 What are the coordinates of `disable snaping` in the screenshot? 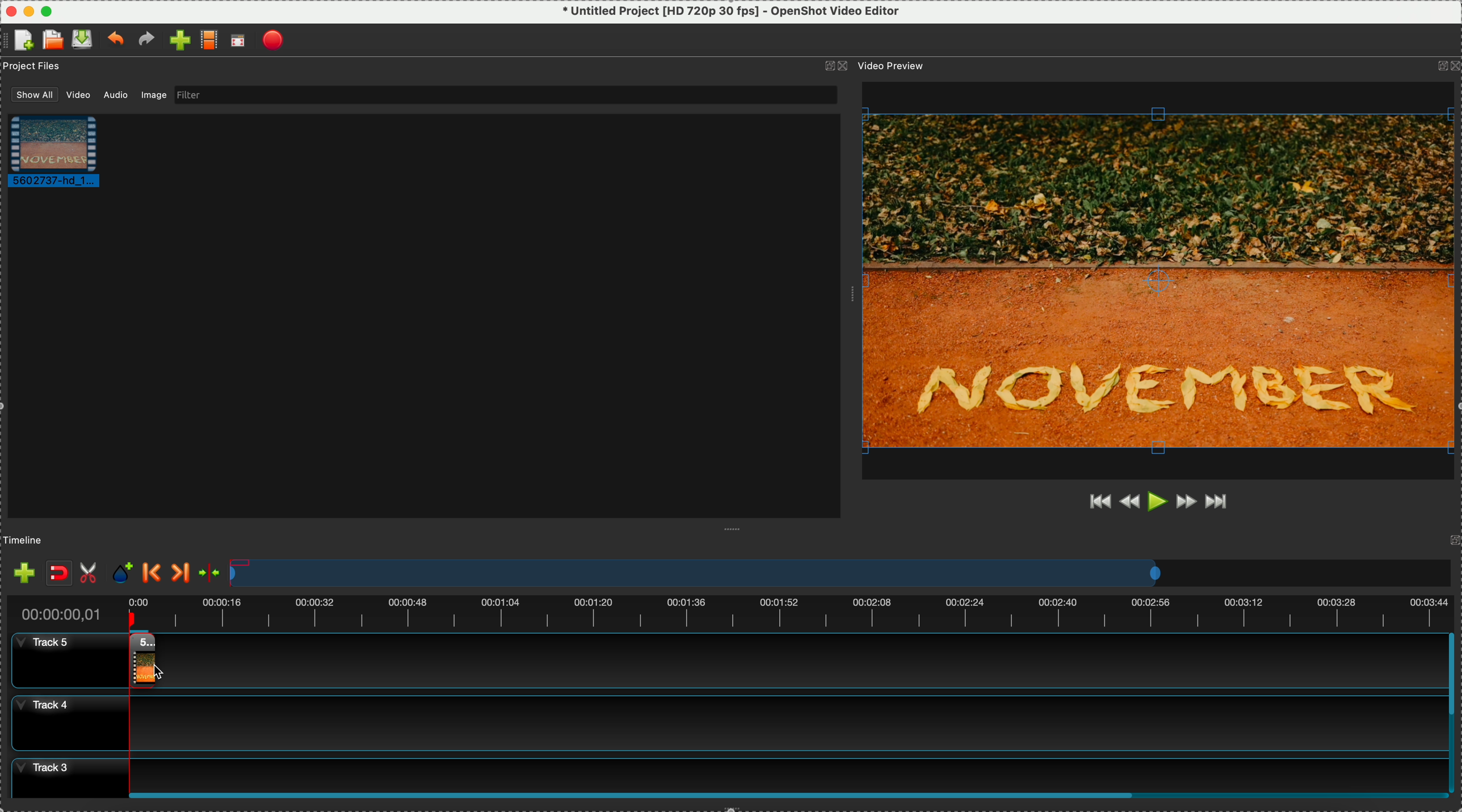 It's located at (59, 573).